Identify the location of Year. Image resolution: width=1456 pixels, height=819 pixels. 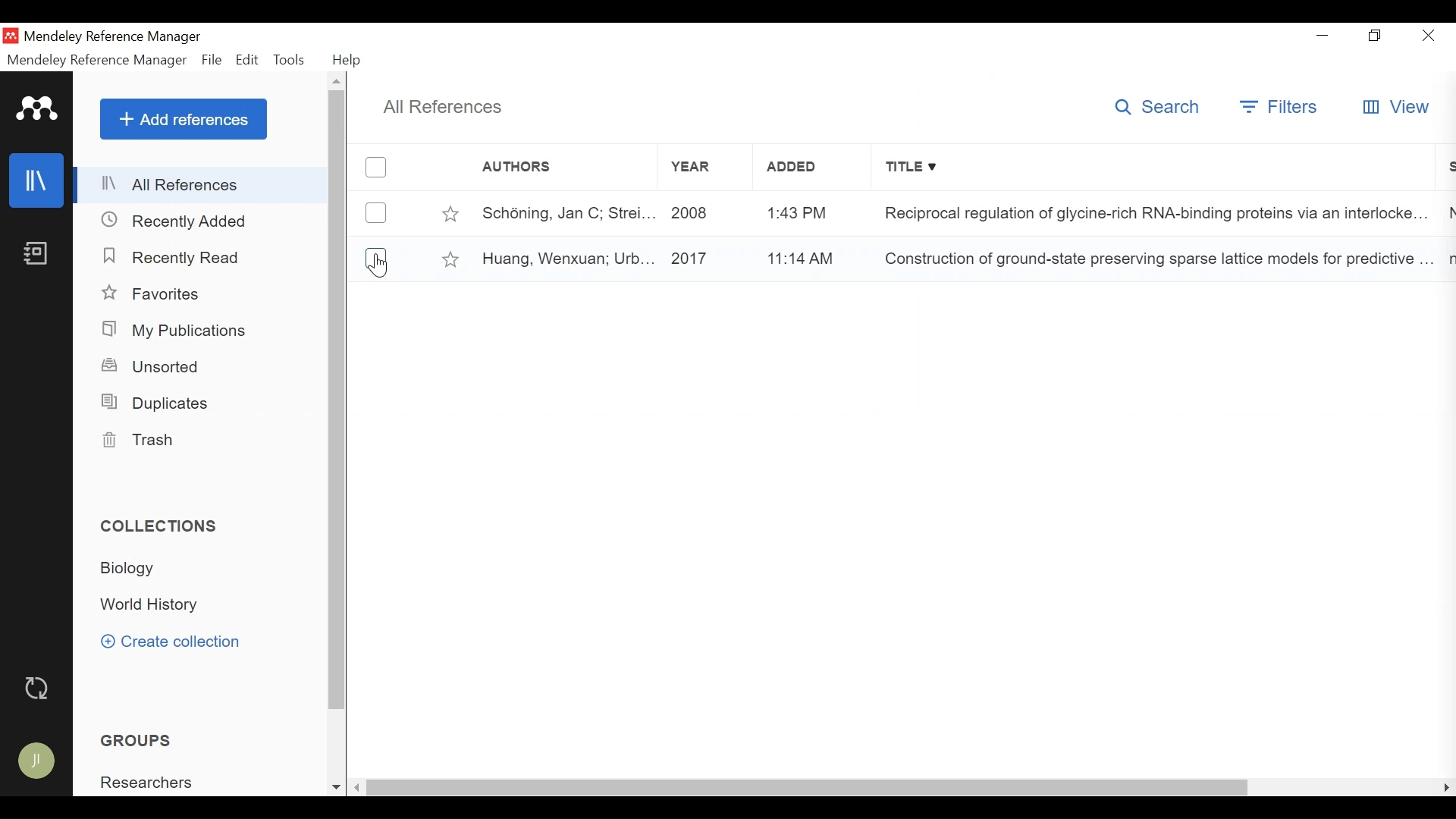
(690, 170).